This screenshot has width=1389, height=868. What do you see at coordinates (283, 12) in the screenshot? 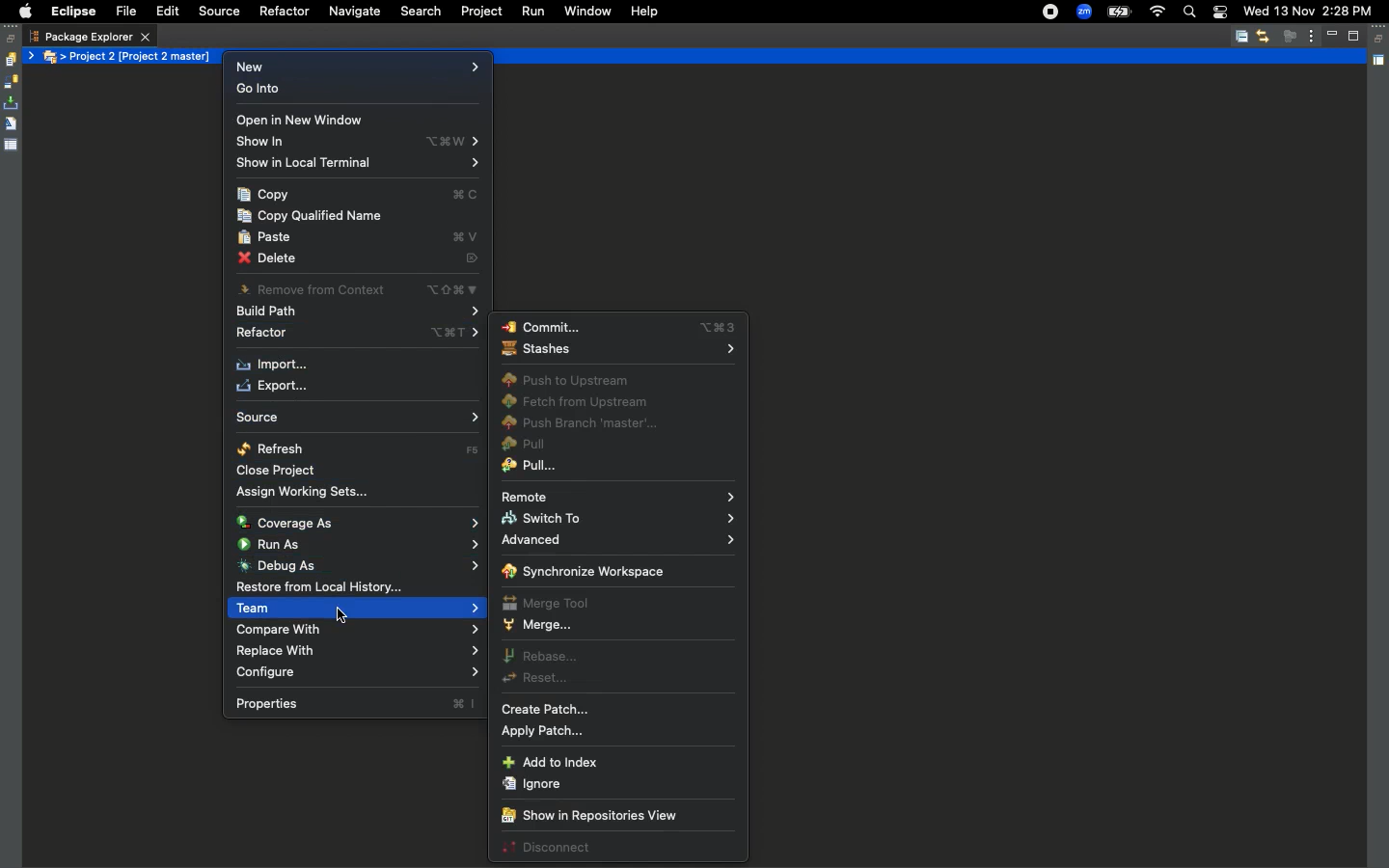
I see `Refactor` at bounding box center [283, 12].